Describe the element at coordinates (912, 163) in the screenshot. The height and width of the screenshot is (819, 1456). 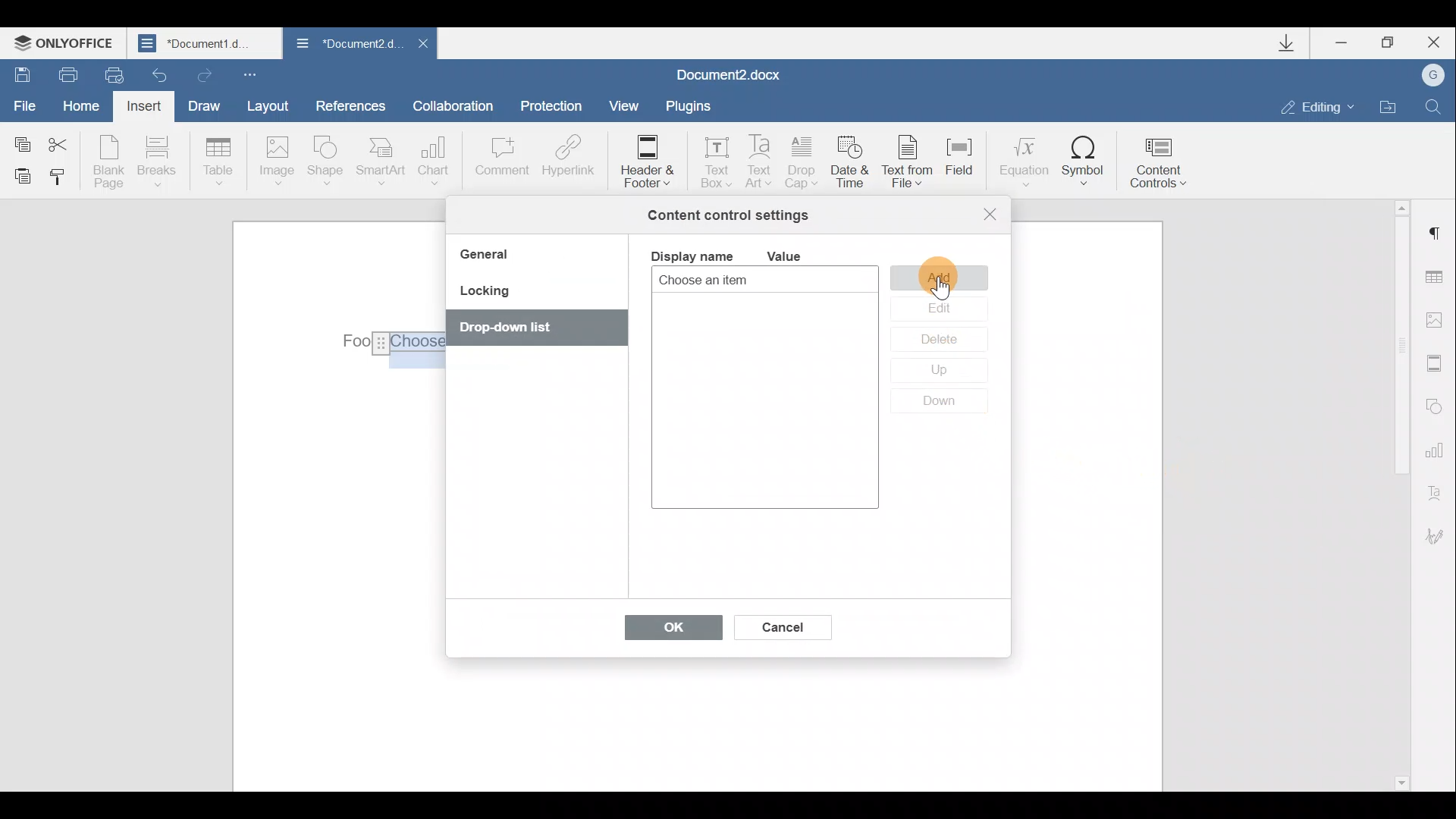
I see `Text from file` at that location.